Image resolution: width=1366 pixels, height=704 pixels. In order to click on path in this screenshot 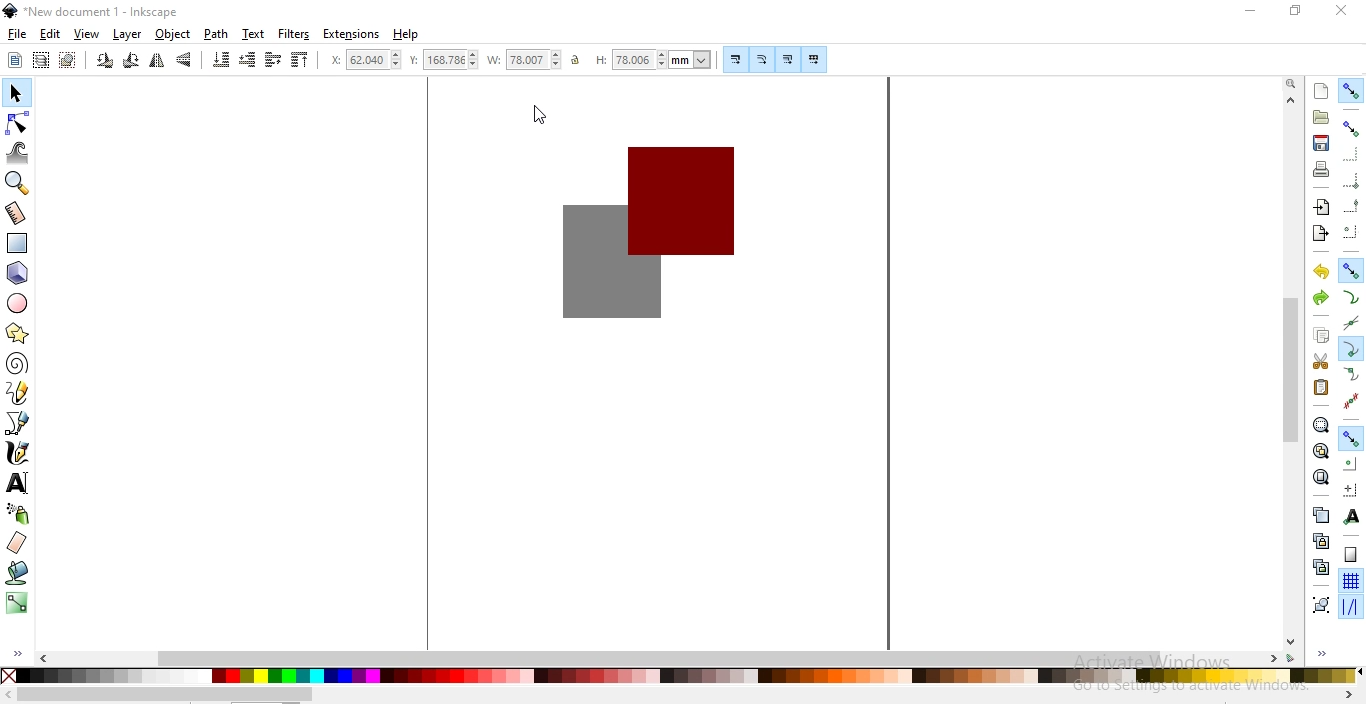, I will do `click(217, 34)`.